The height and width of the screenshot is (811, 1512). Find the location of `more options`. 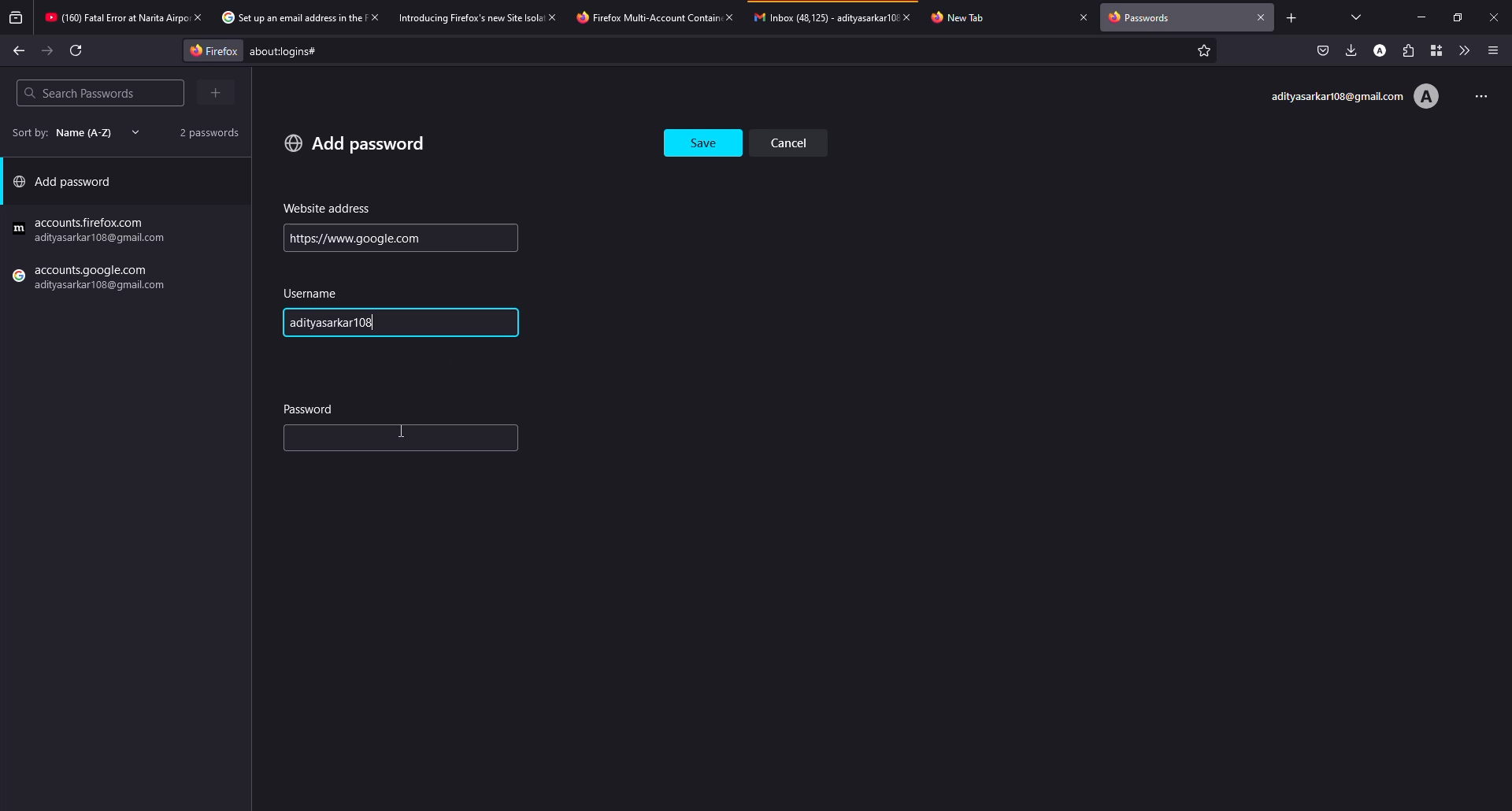

more options is located at coordinates (1476, 94).